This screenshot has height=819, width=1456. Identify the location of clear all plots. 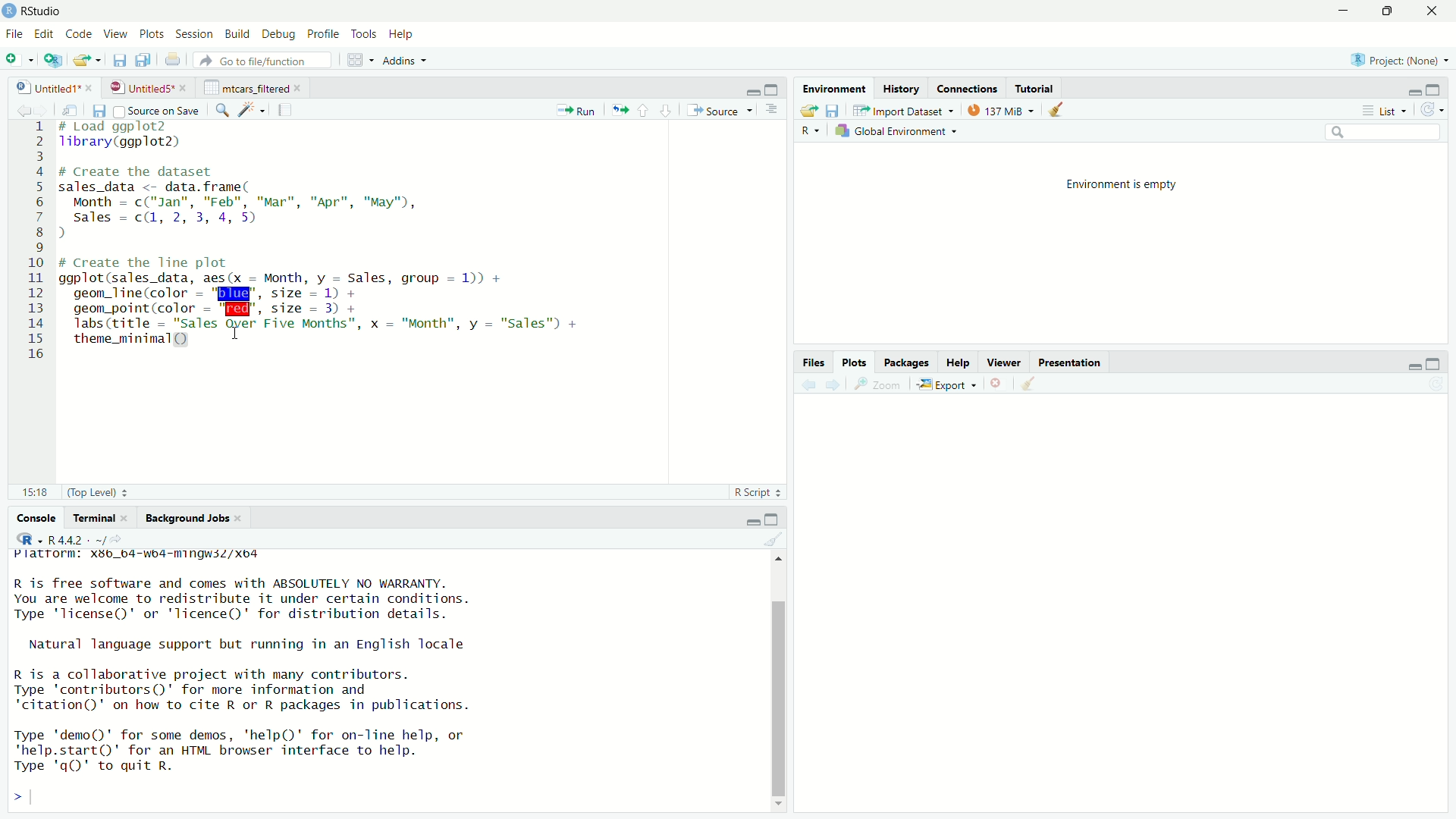
(1056, 109).